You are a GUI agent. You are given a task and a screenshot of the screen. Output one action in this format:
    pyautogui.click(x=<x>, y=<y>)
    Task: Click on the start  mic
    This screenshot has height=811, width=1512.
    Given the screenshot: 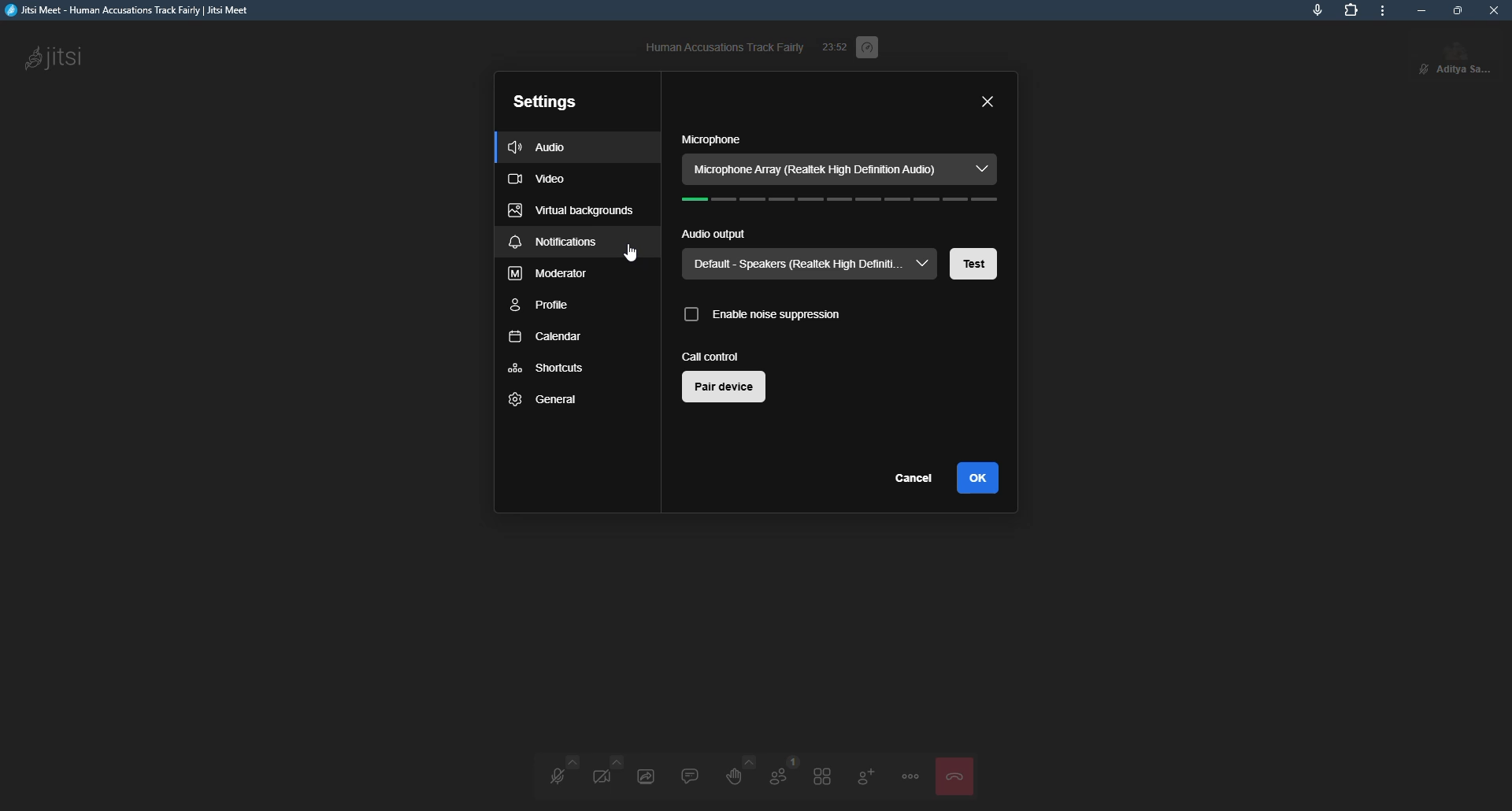 What is the action you would take?
    pyautogui.click(x=553, y=774)
    